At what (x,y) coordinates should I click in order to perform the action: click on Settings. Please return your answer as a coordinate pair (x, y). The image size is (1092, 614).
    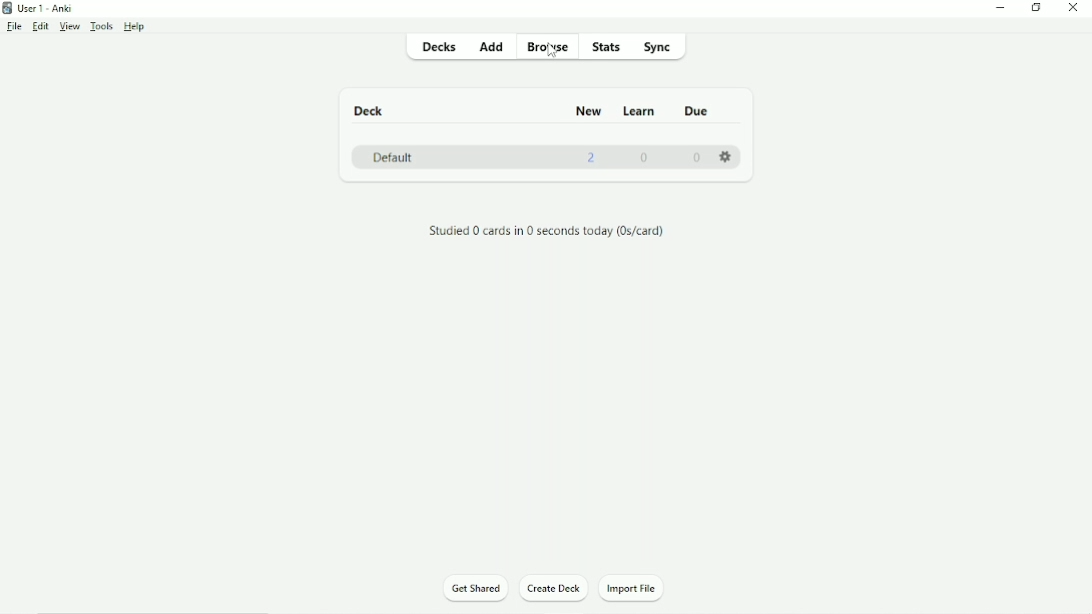
    Looking at the image, I should click on (725, 157).